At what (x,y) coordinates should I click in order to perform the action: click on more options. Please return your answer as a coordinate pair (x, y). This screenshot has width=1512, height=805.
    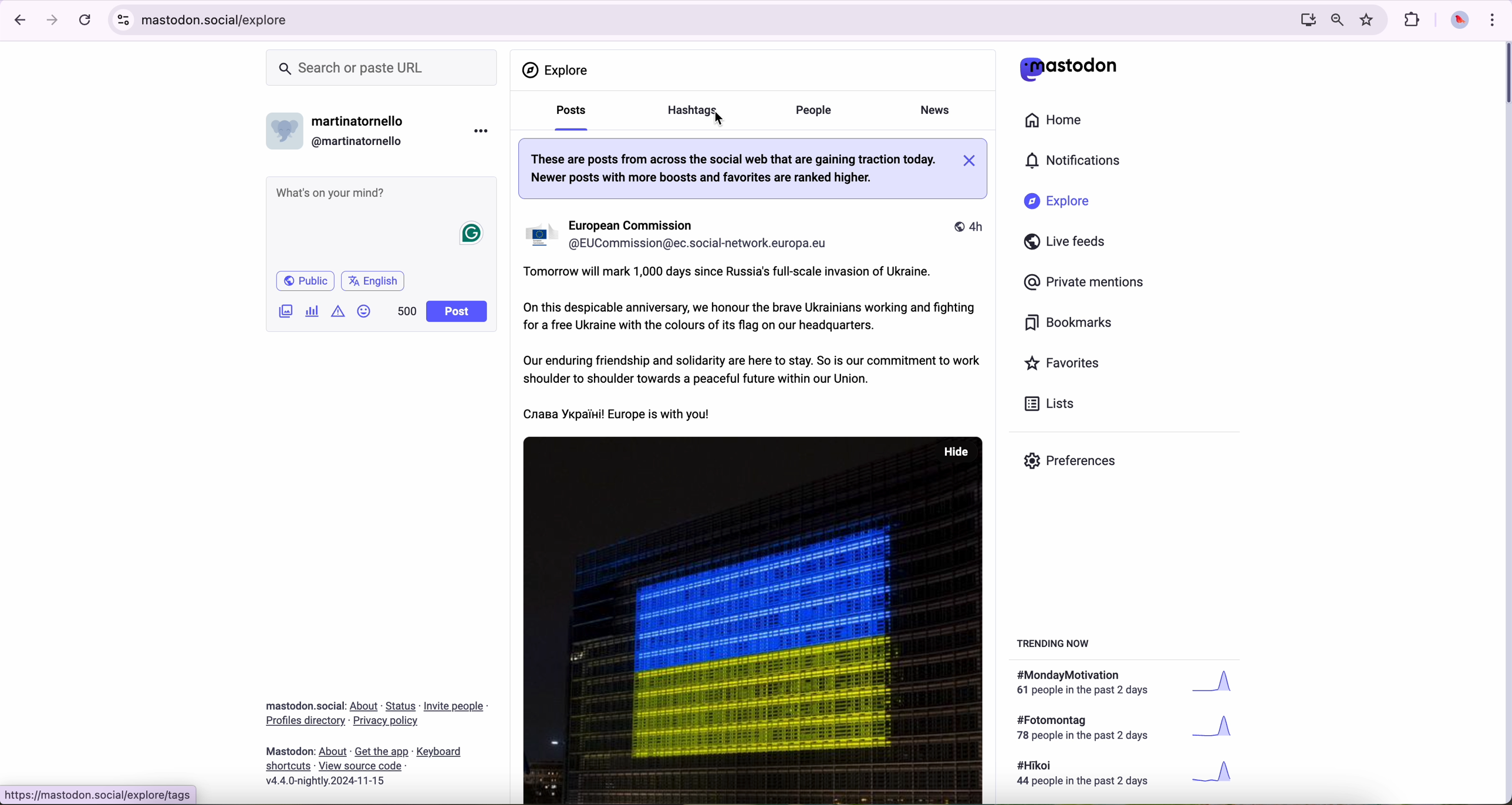
    Looking at the image, I should click on (480, 133).